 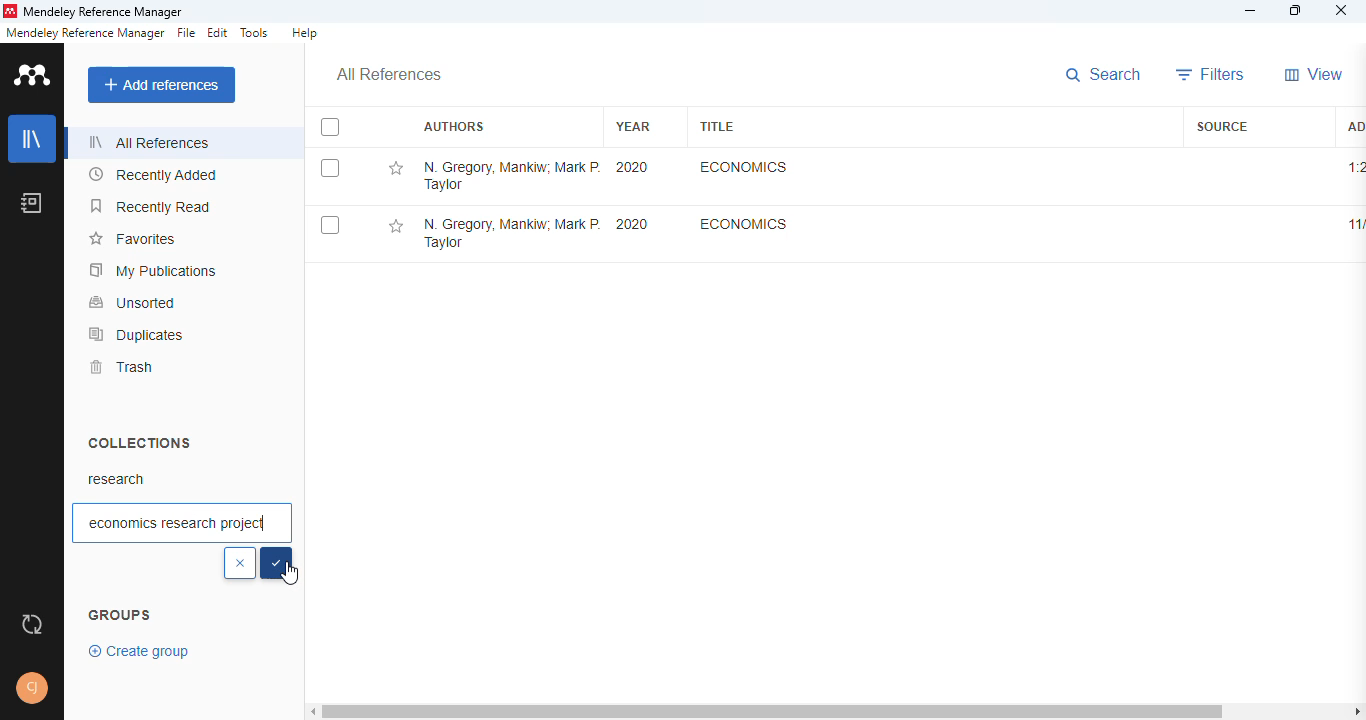 What do you see at coordinates (120, 616) in the screenshot?
I see `groups` at bounding box center [120, 616].